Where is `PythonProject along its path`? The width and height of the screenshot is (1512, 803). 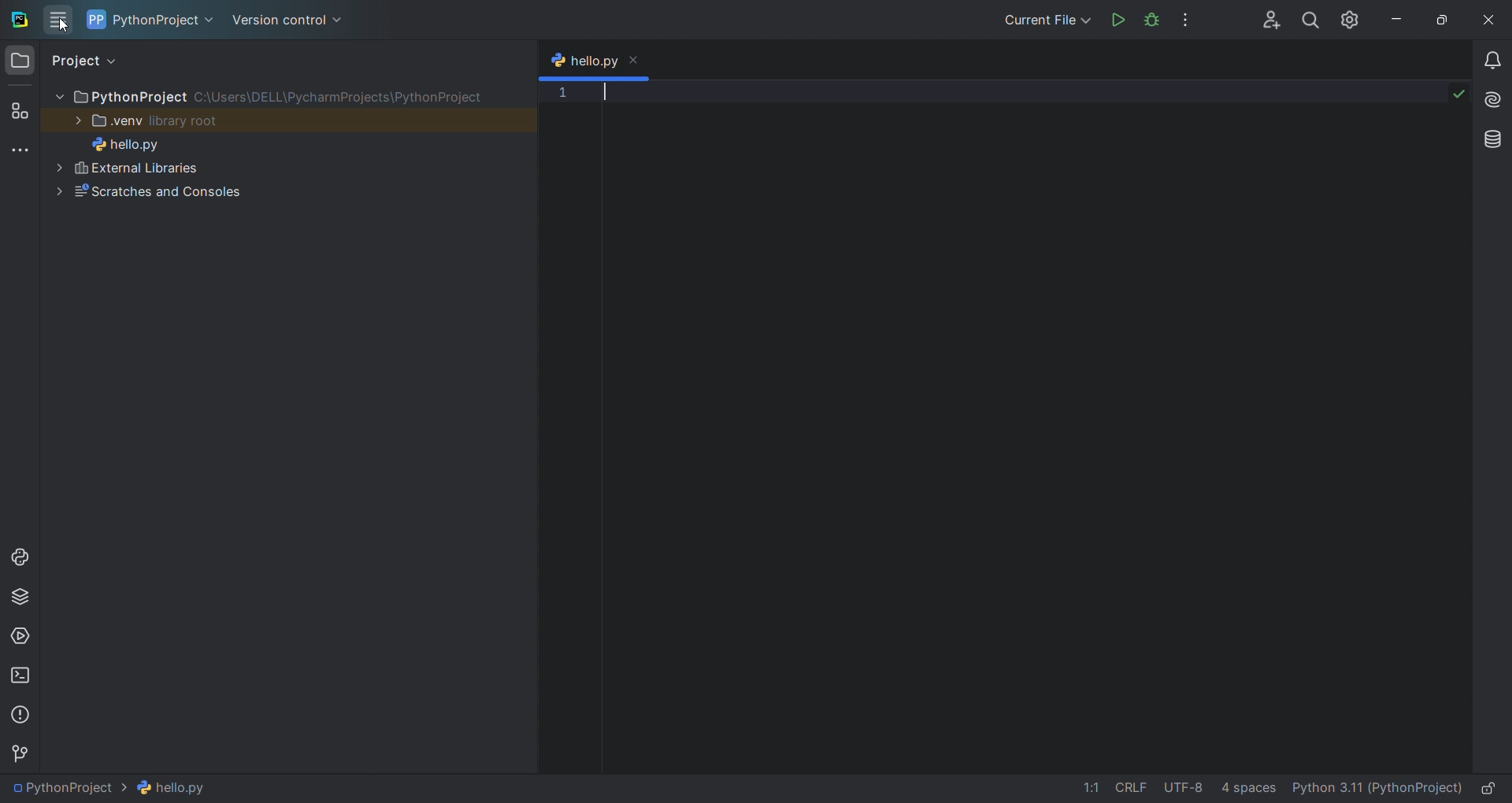
PythonProject along its path is located at coordinates (266, 96).